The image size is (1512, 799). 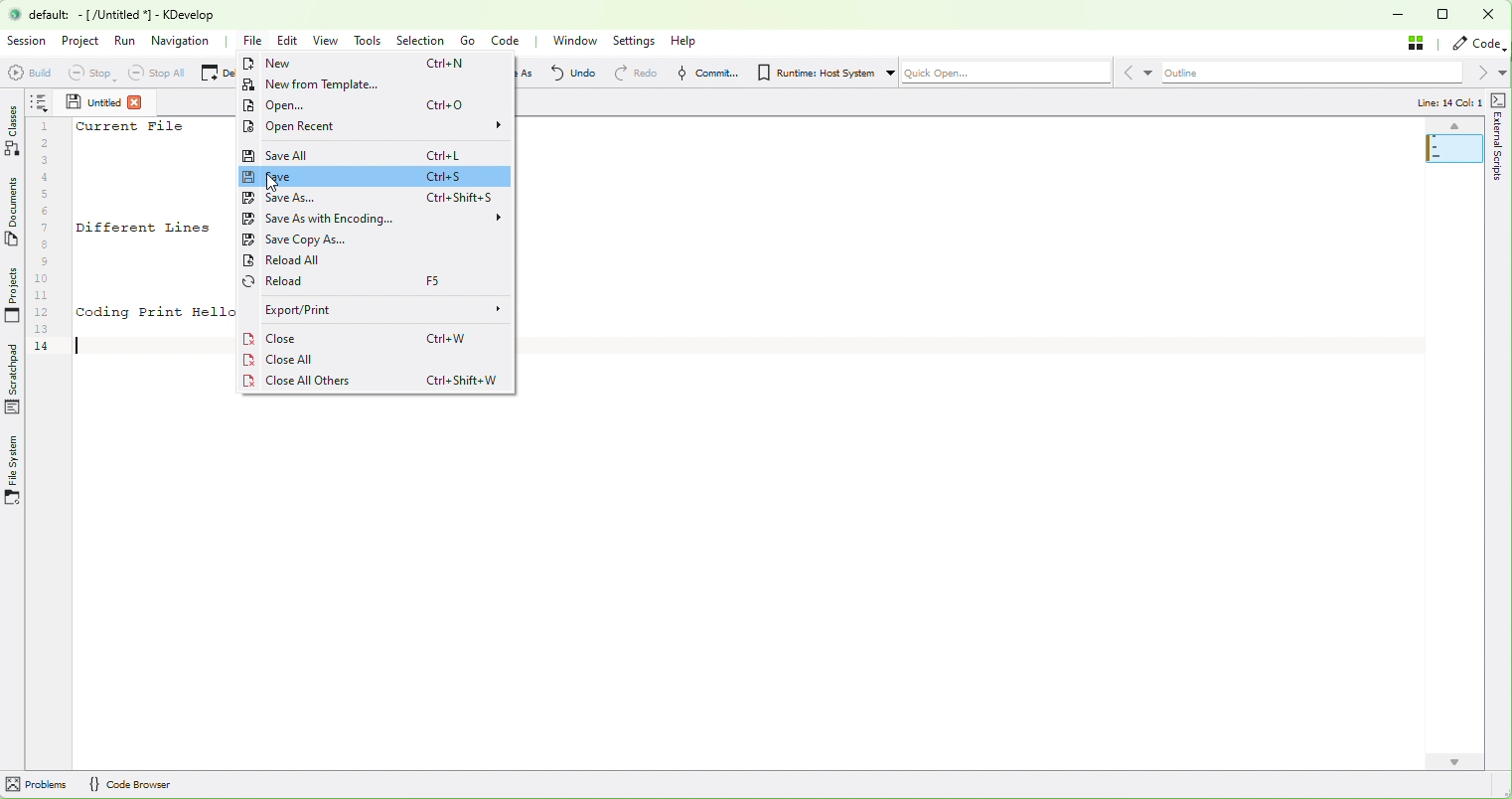 What do you see at coordinates (136, 14) in the screenshot?
I see `default: - [ /Untitled *] - KDevelop` at bounding box center [136, 14].